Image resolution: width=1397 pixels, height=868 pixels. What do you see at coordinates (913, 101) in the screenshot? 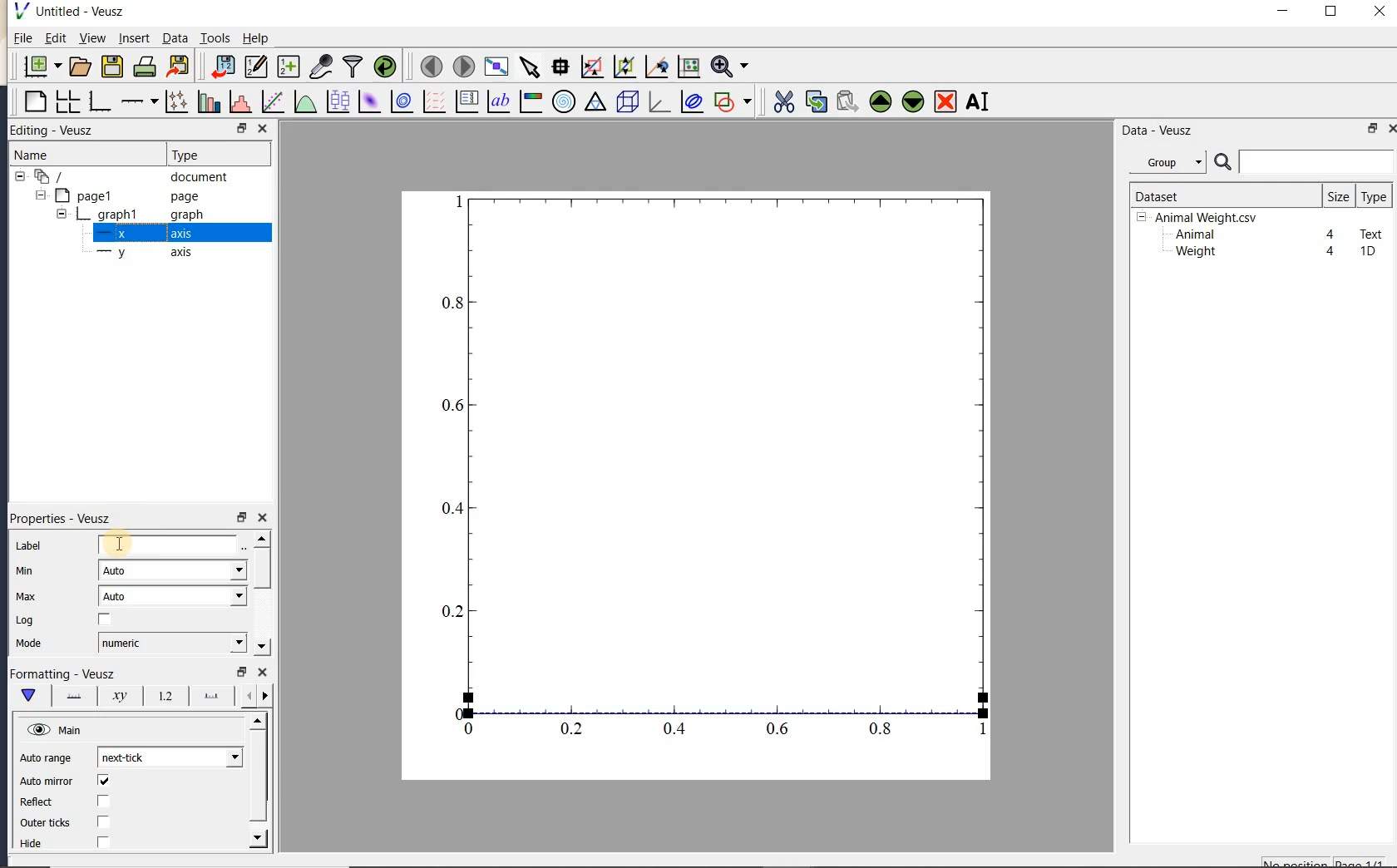
I see `move the selected widget down` at bounding box center [913, 101].